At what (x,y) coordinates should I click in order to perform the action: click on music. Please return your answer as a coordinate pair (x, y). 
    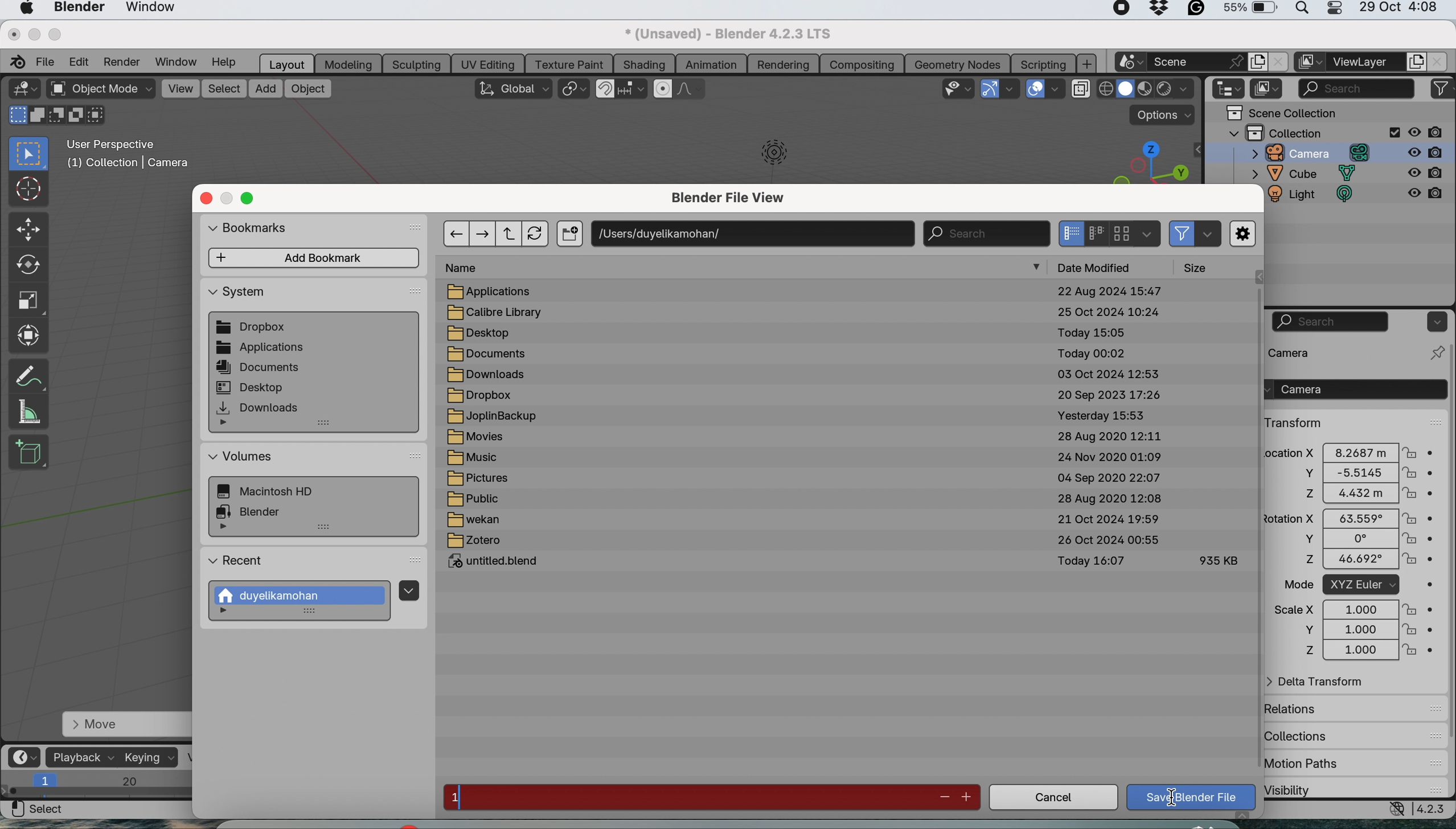
    Looking at the image, I should click on (480, 459).